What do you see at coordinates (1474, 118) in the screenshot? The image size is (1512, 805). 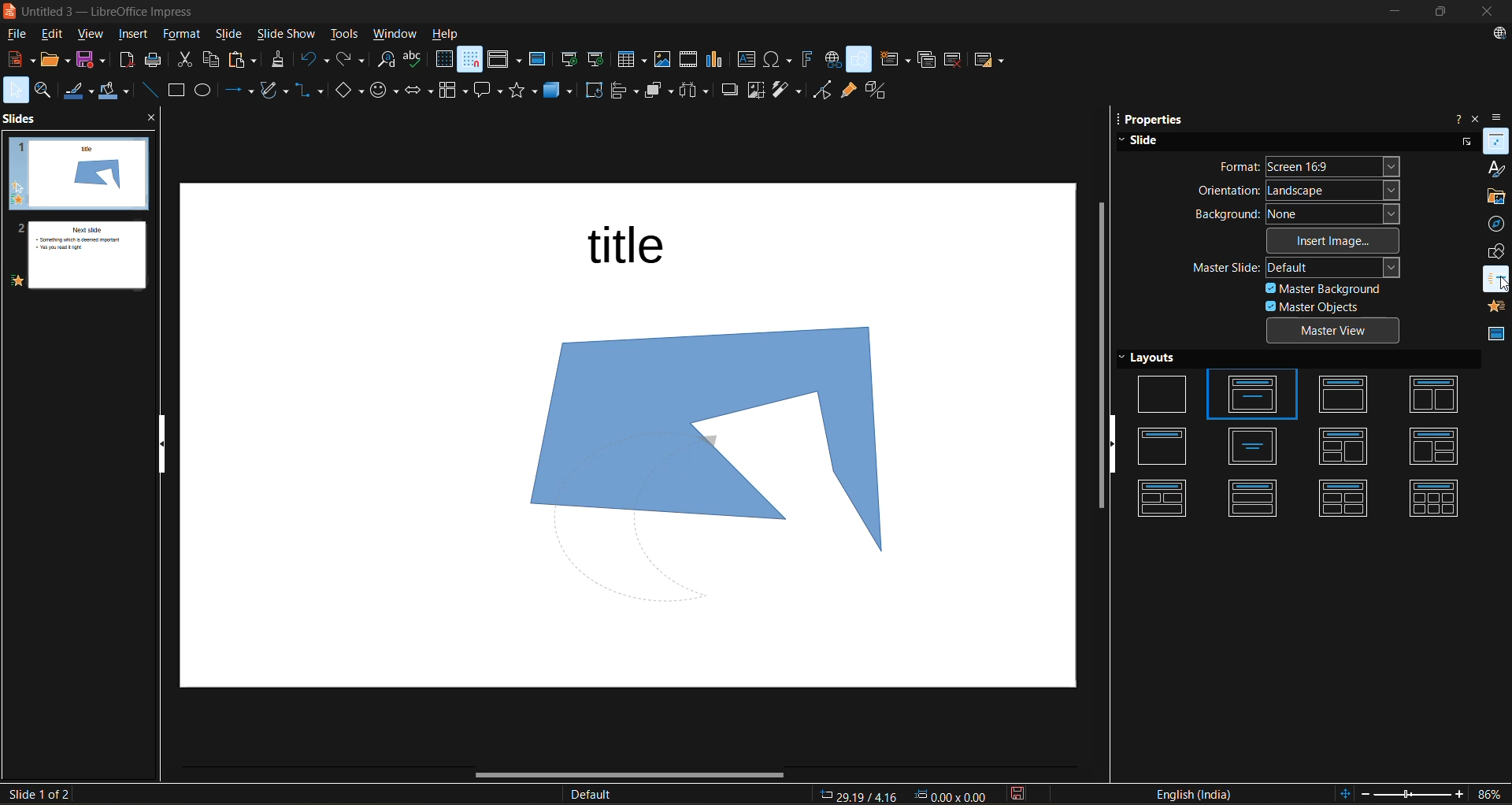 I see `close sidebar deck` at bounding box center [1474, 118].